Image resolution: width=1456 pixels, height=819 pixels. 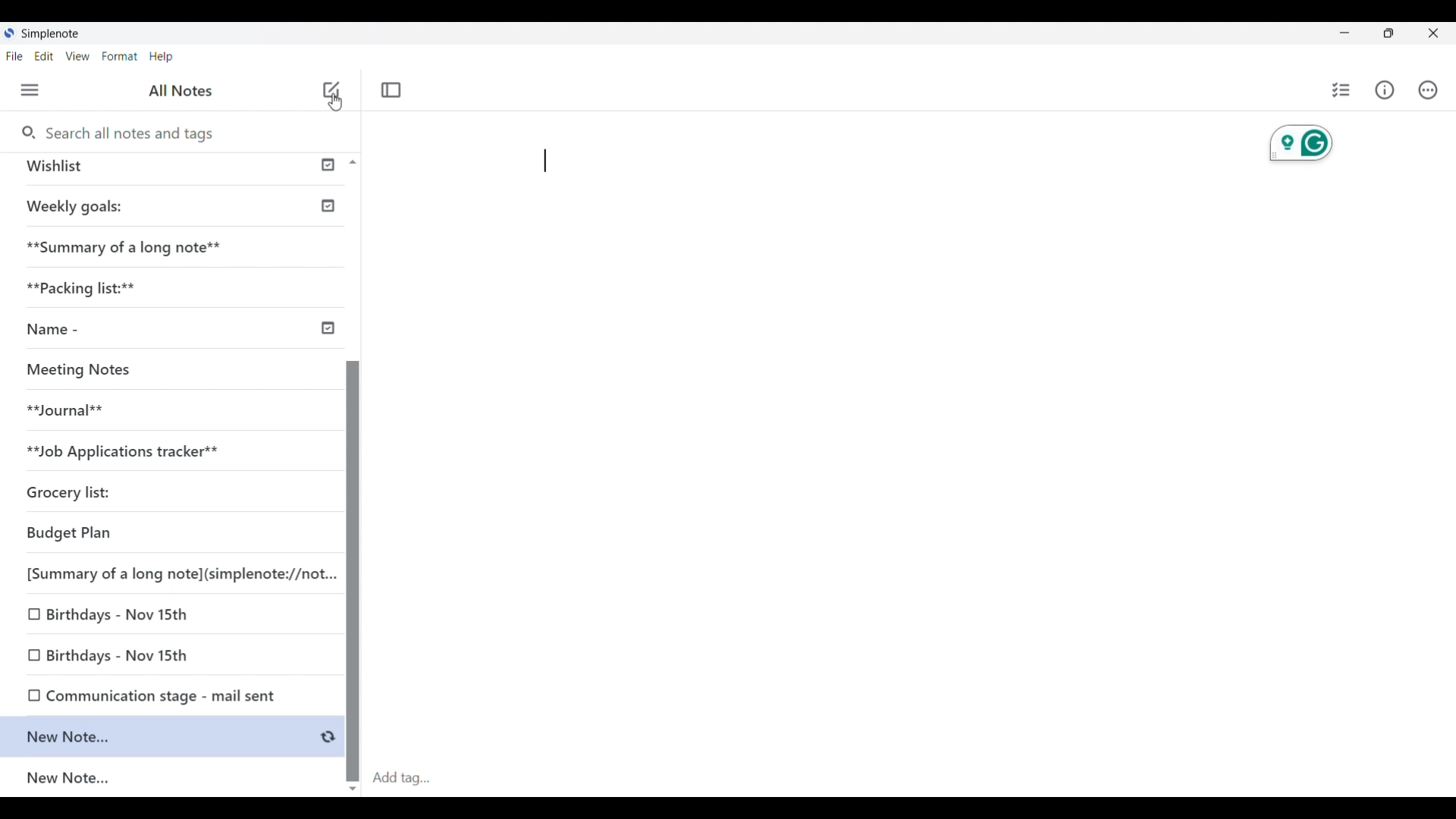 I want to click on Minimize, so click(x=1345, y=33).